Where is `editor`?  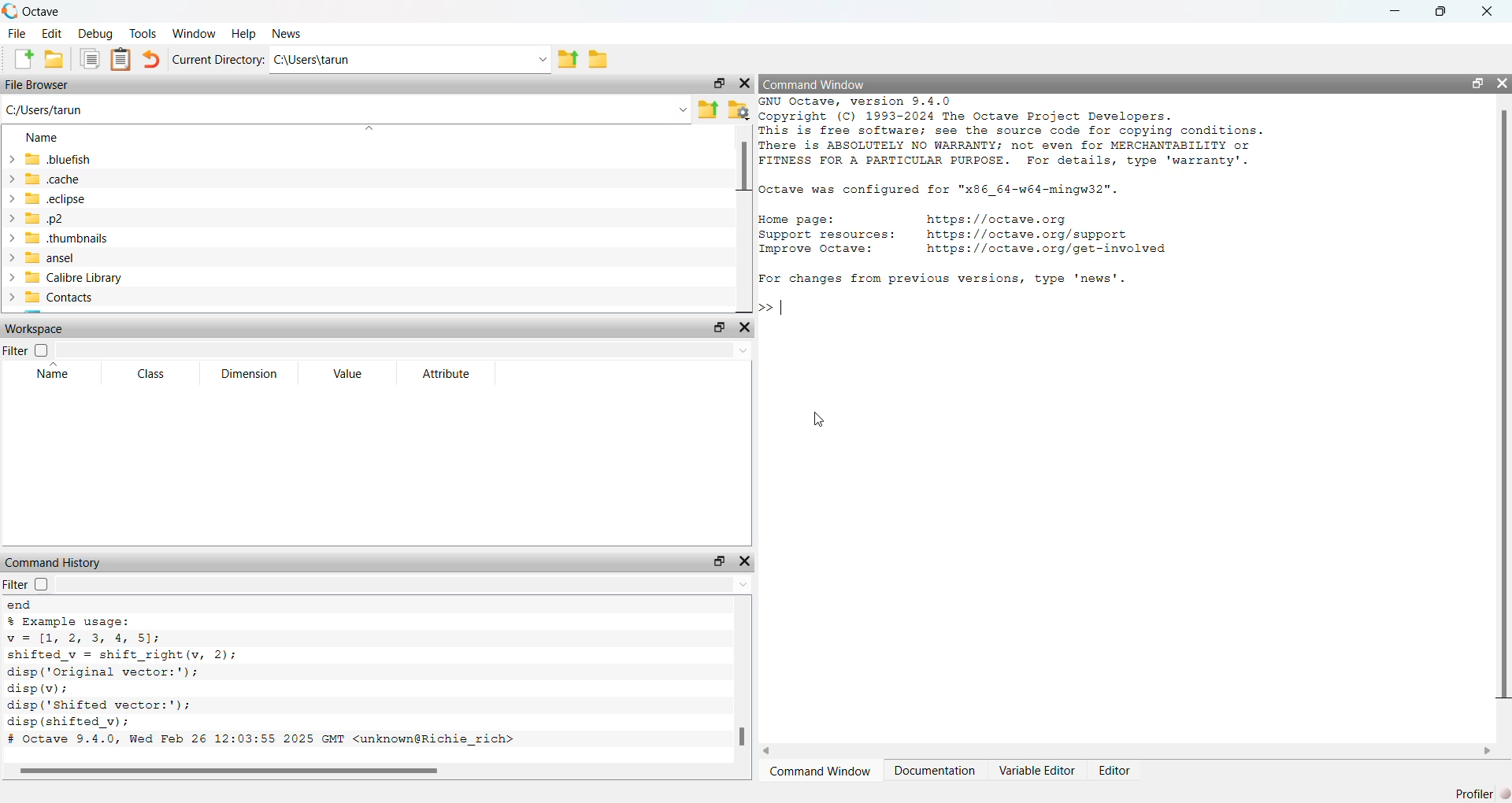 editor is located at coordinates (1121, 772).